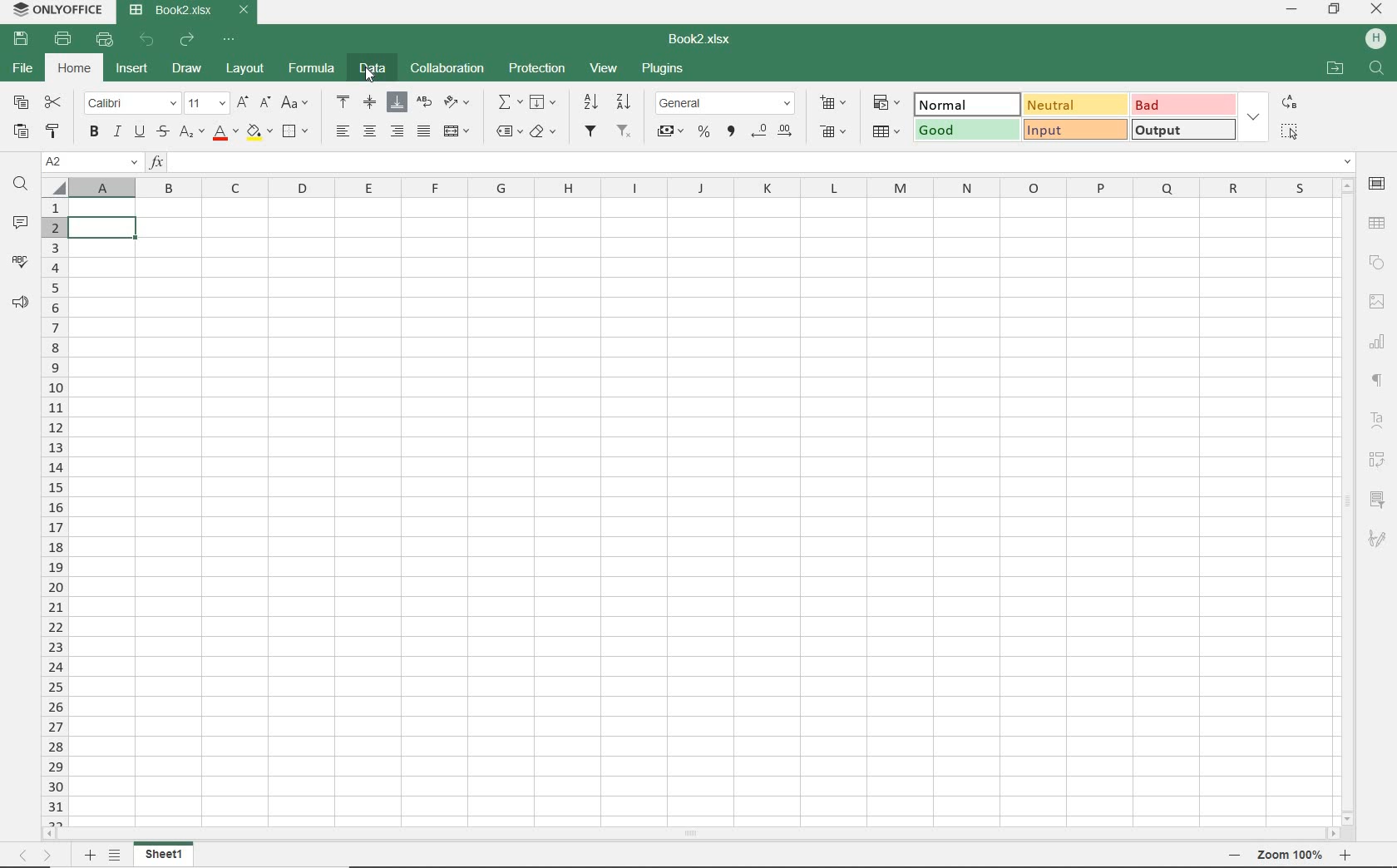 The height and width of the screenshot is (868, 1397). Describe the element at coordinates (314, 70) in the screenshot. I see `FORMULA` at that location.